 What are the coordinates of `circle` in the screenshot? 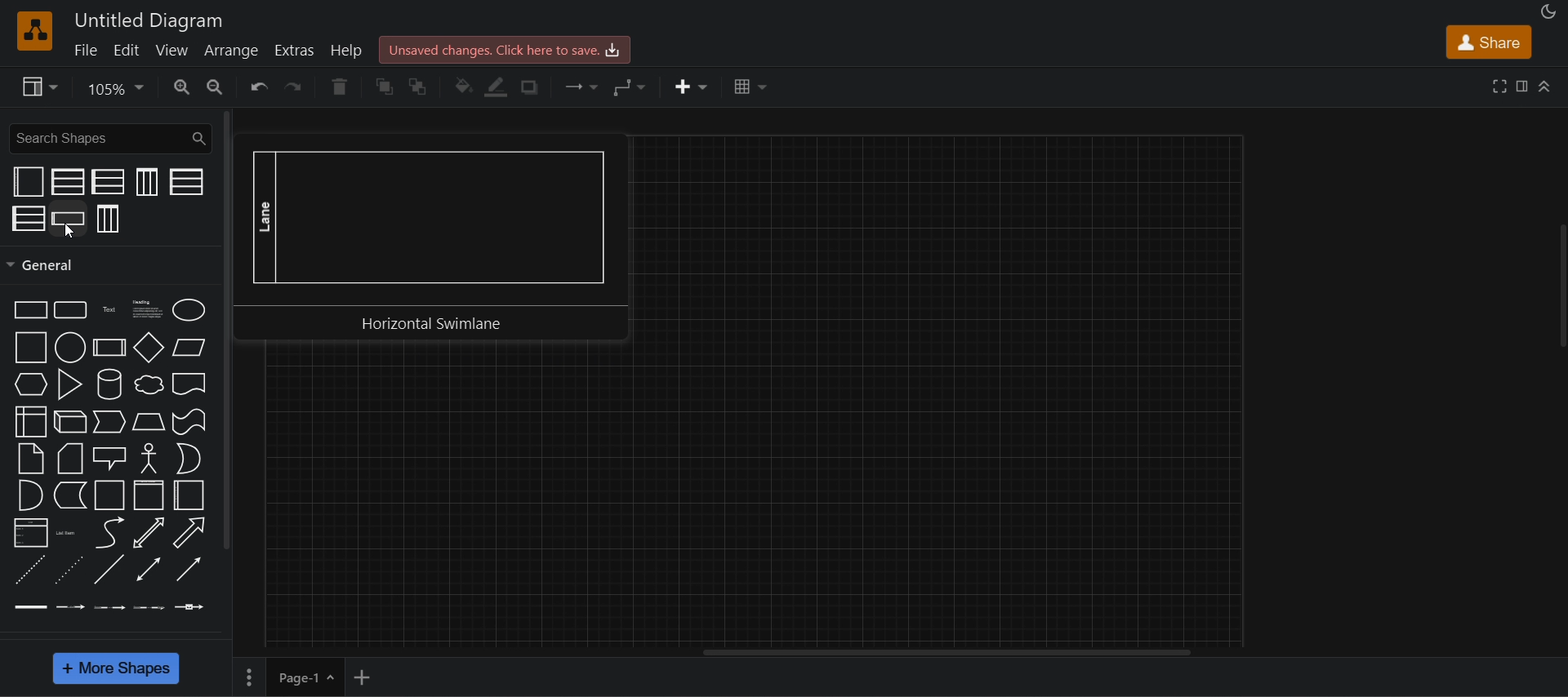 It's located at (70, 347).